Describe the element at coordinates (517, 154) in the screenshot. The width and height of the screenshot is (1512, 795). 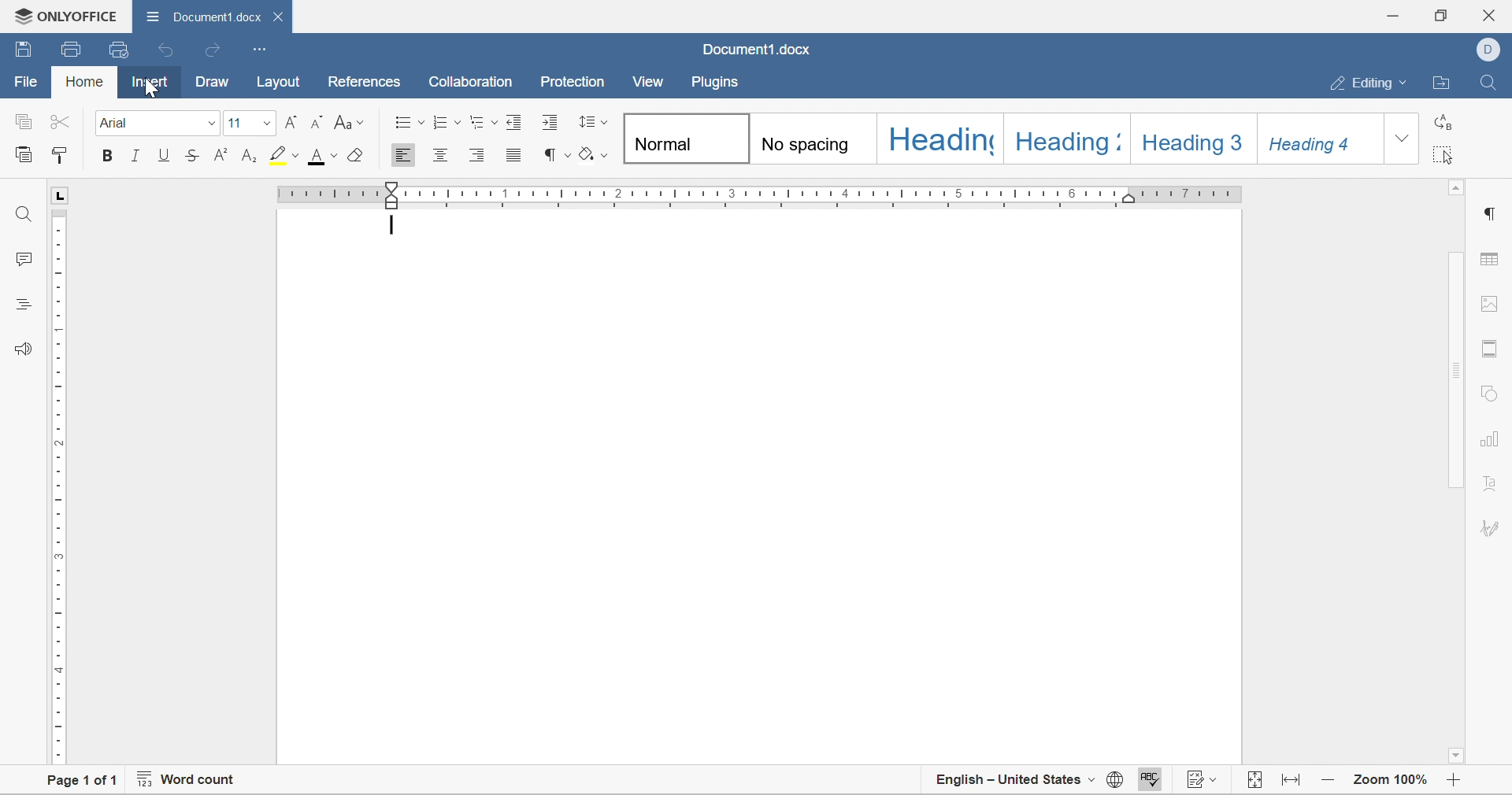
I see `Justified` at that location.